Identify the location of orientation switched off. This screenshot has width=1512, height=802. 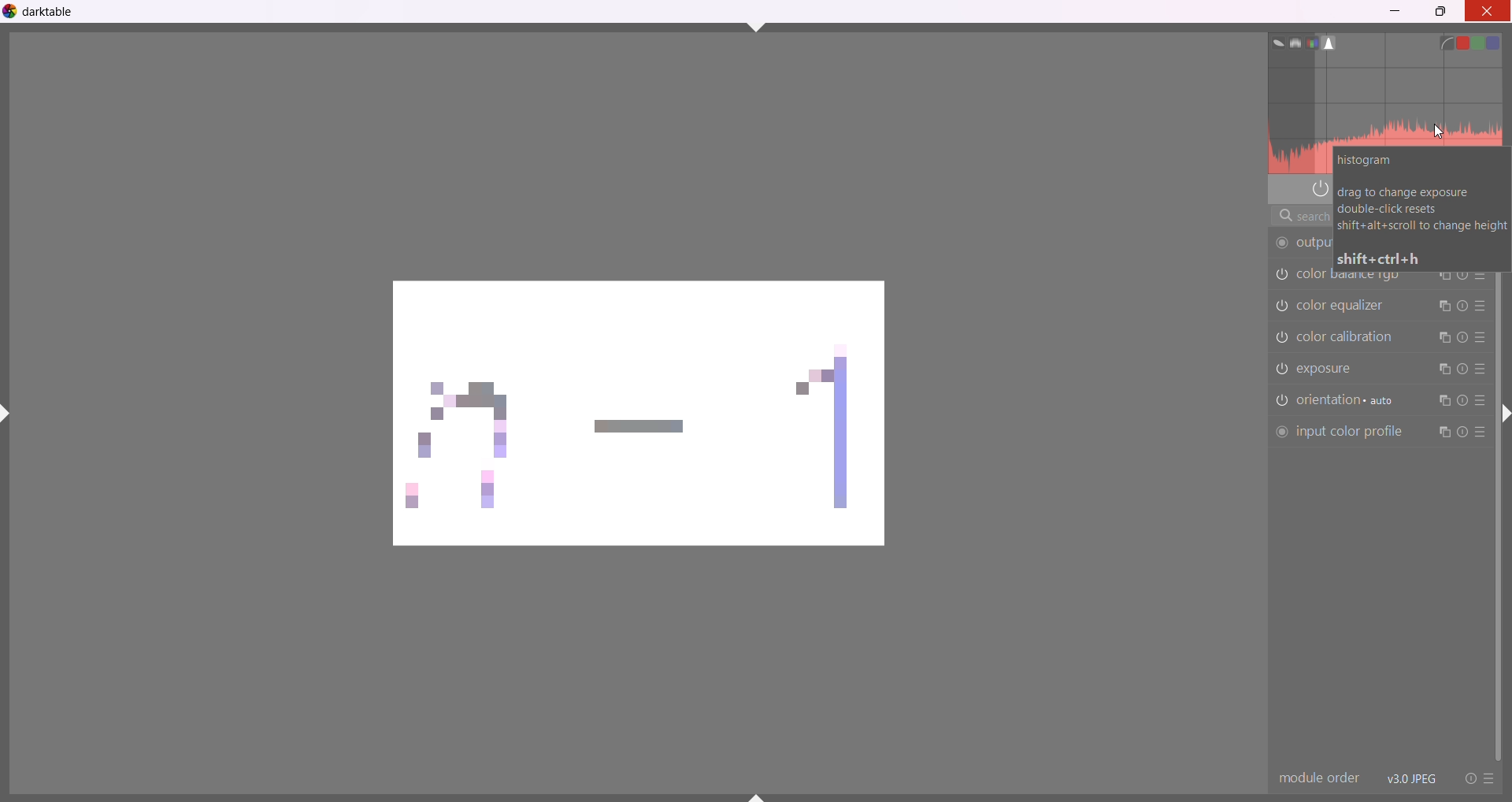
(1280, 401).